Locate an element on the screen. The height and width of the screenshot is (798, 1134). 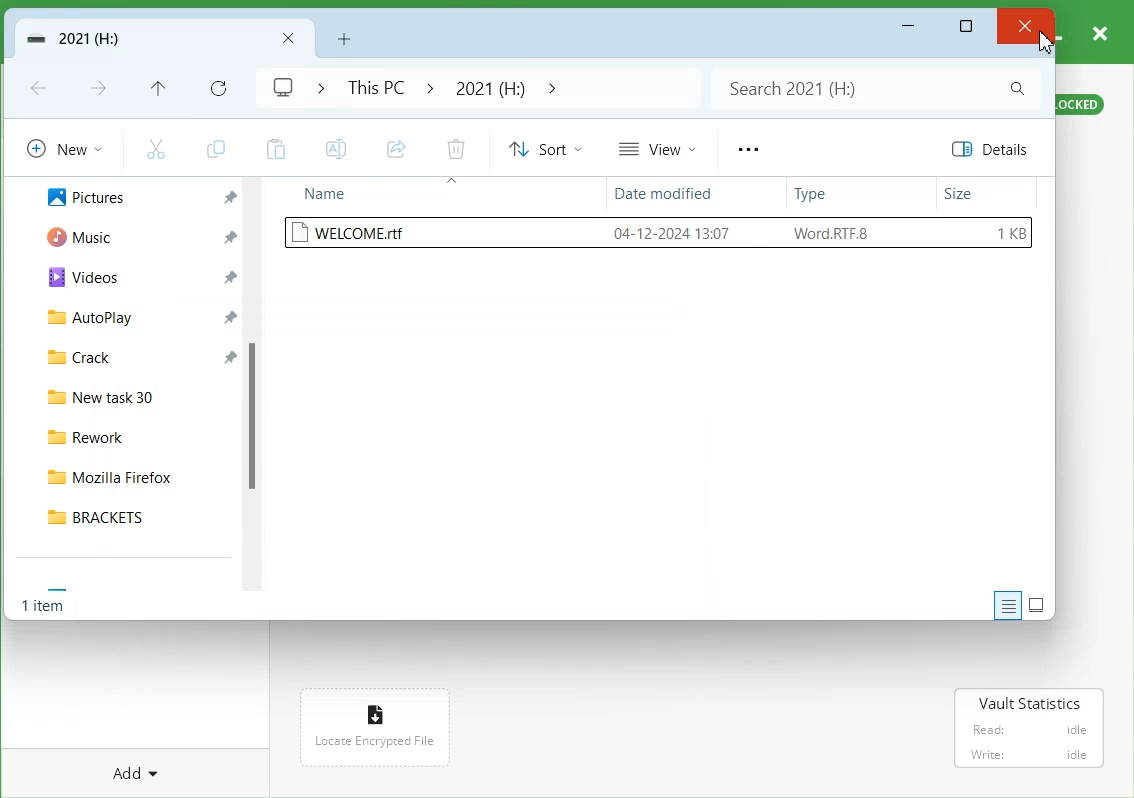
close is located at coordinates (1101, 31).